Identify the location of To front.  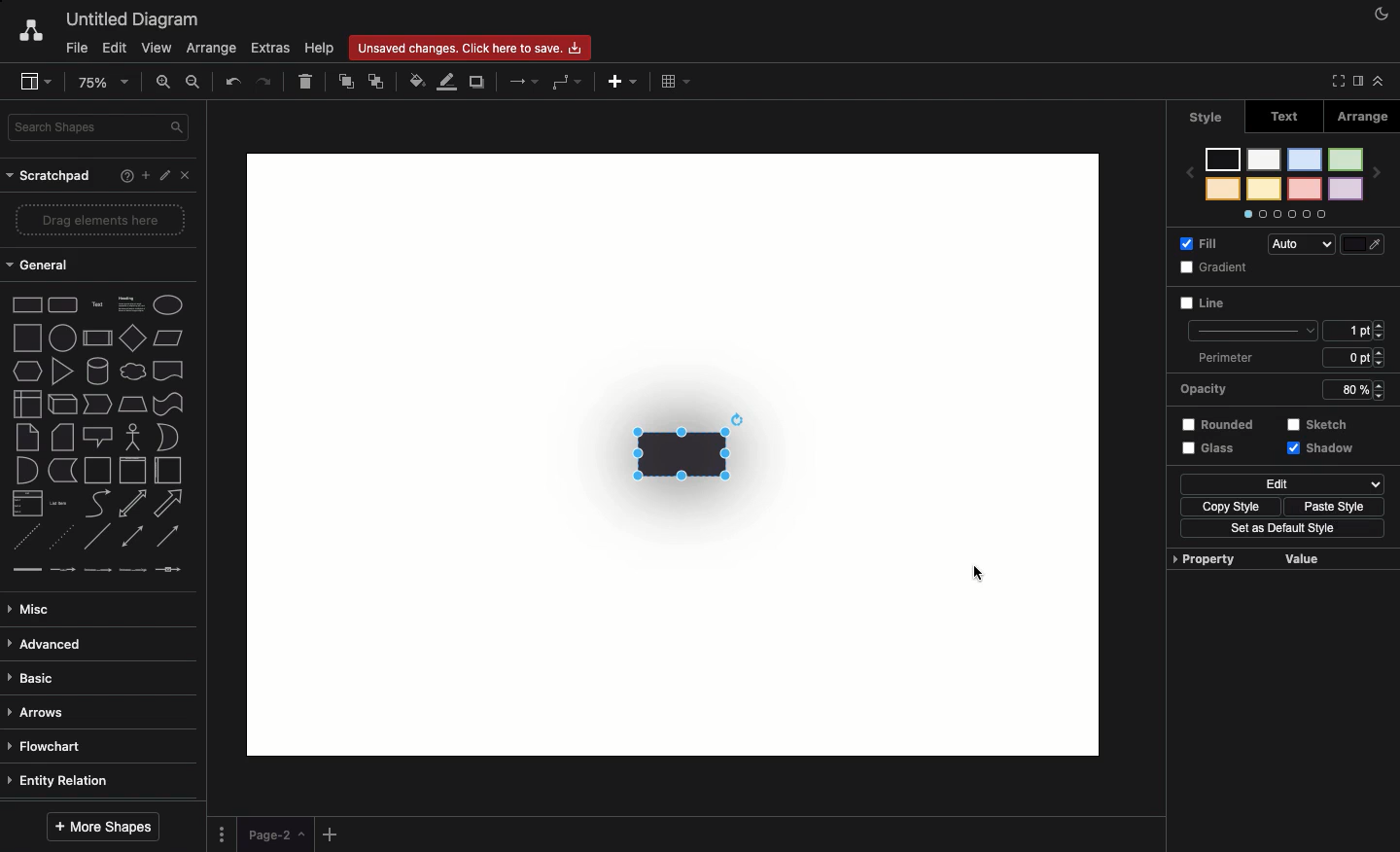
(346, 81).